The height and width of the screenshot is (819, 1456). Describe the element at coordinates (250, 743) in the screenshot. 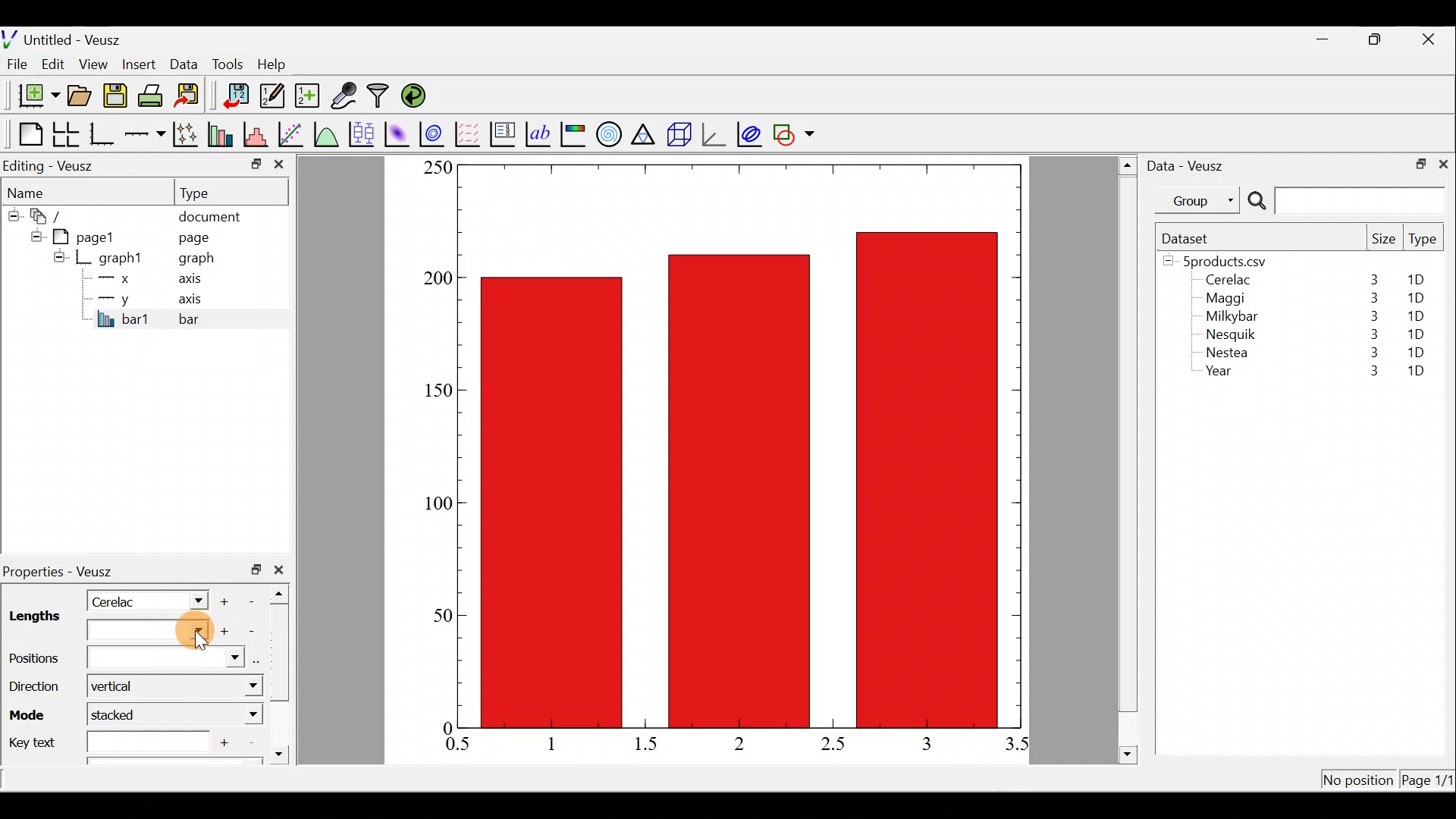

I see `Remove item` at that location.